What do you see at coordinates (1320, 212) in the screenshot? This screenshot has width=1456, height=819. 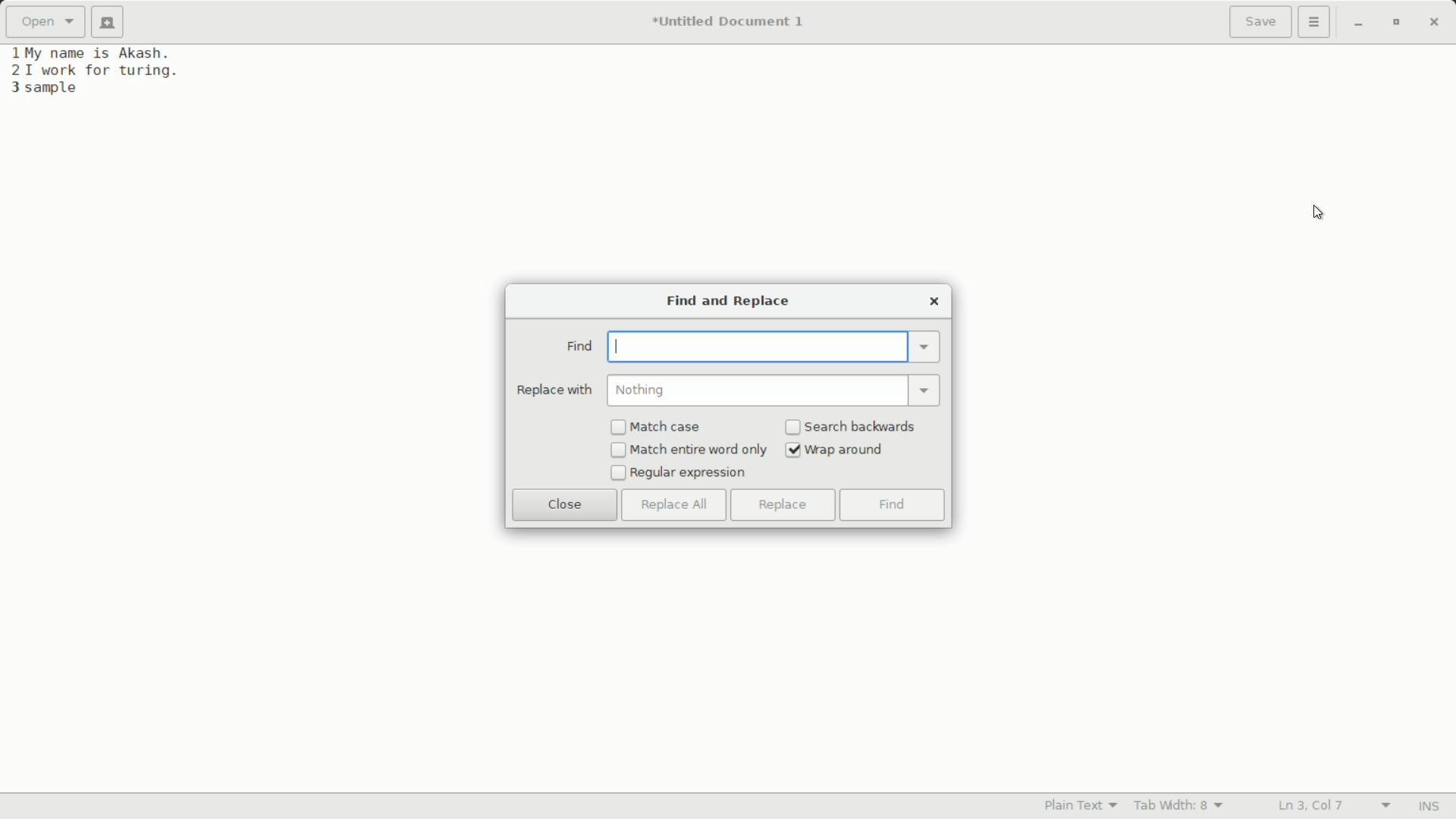 I see `cursor` at bounding box center [1320, 212].